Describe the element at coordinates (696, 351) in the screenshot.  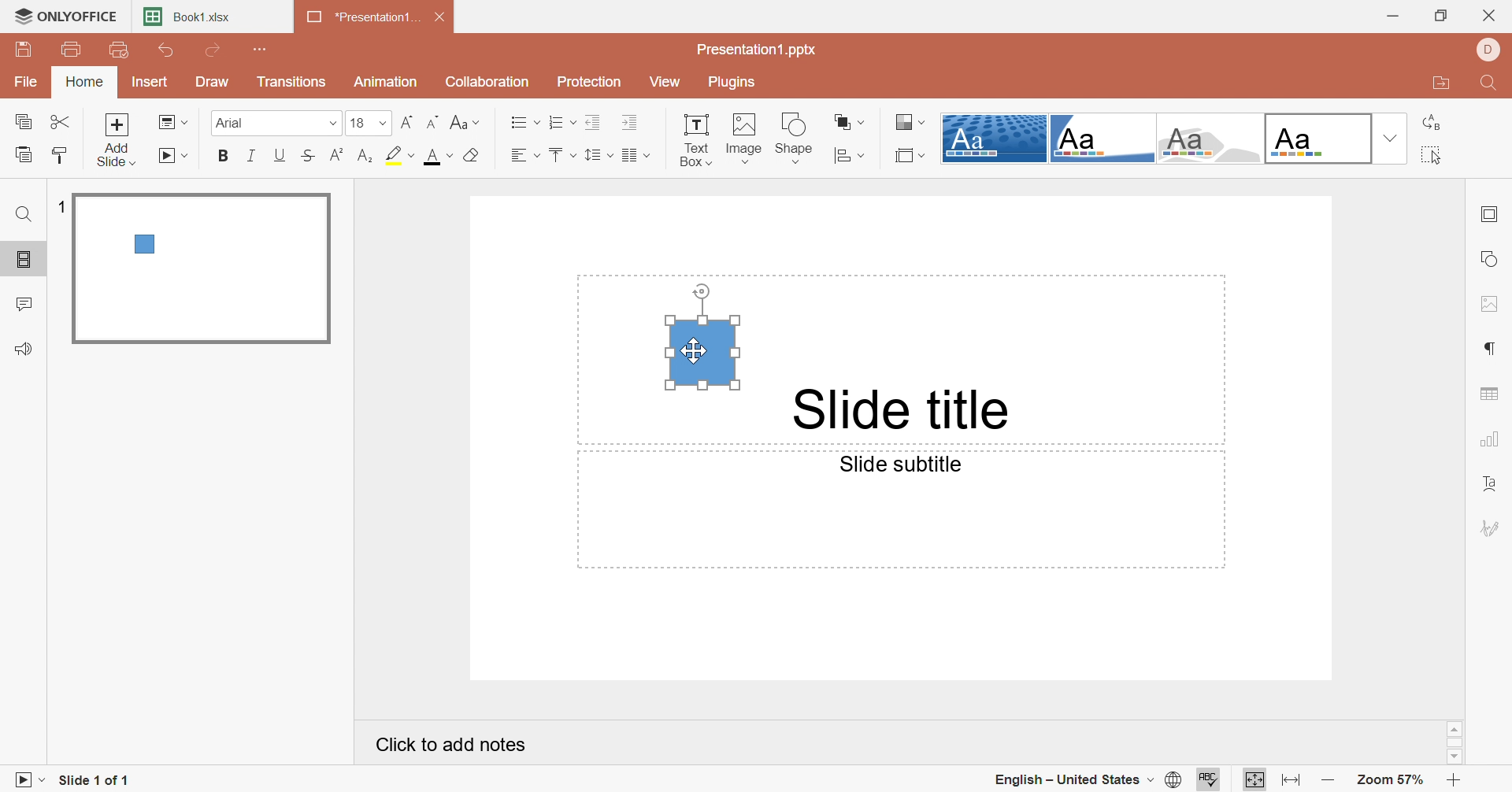
I see `Cursor` at that location.